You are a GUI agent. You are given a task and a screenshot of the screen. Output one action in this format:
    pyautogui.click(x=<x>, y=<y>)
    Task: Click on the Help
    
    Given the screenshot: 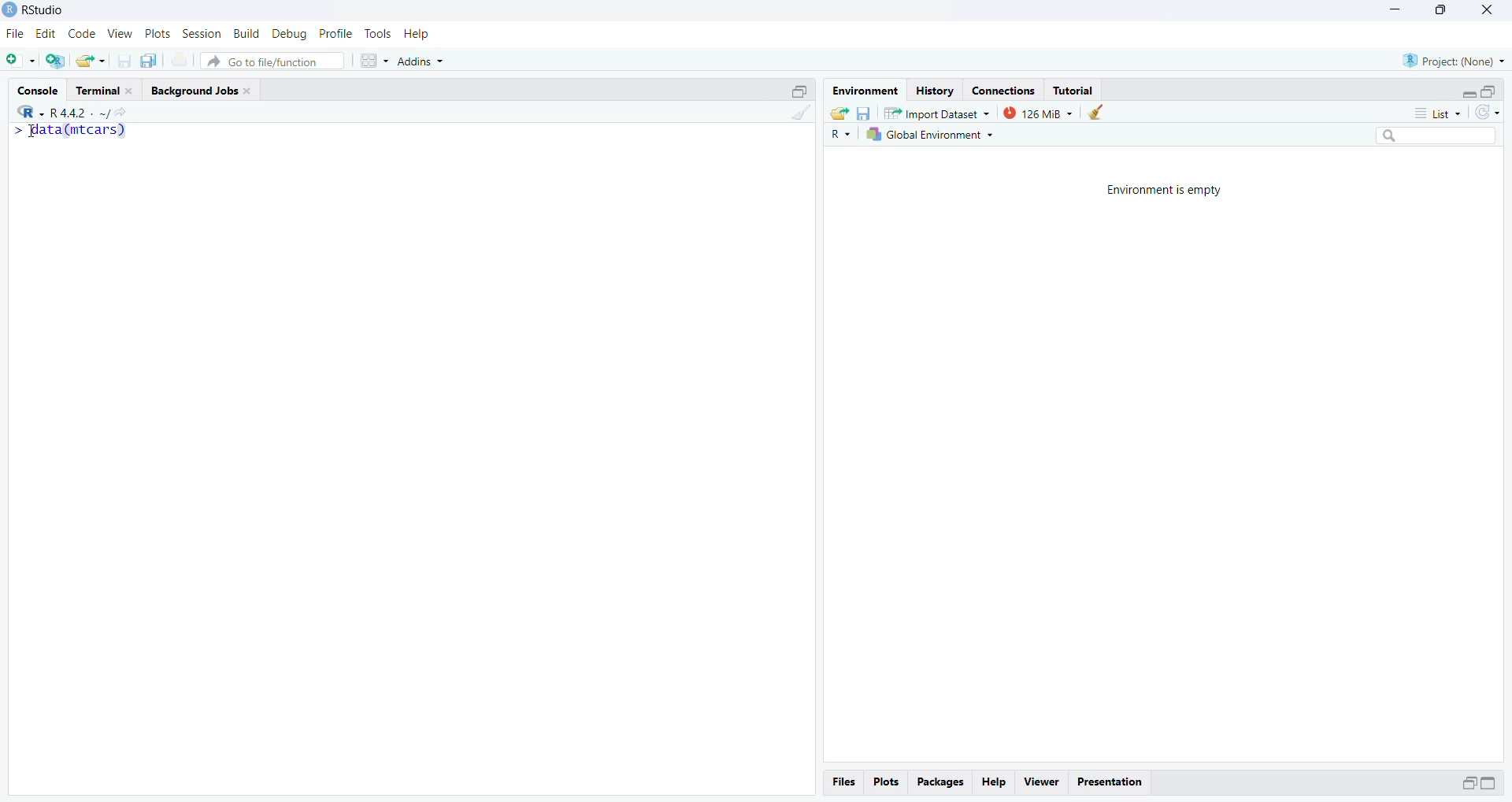 What is the action you would take?
    pyautogui.click(x=994, y=783)
    